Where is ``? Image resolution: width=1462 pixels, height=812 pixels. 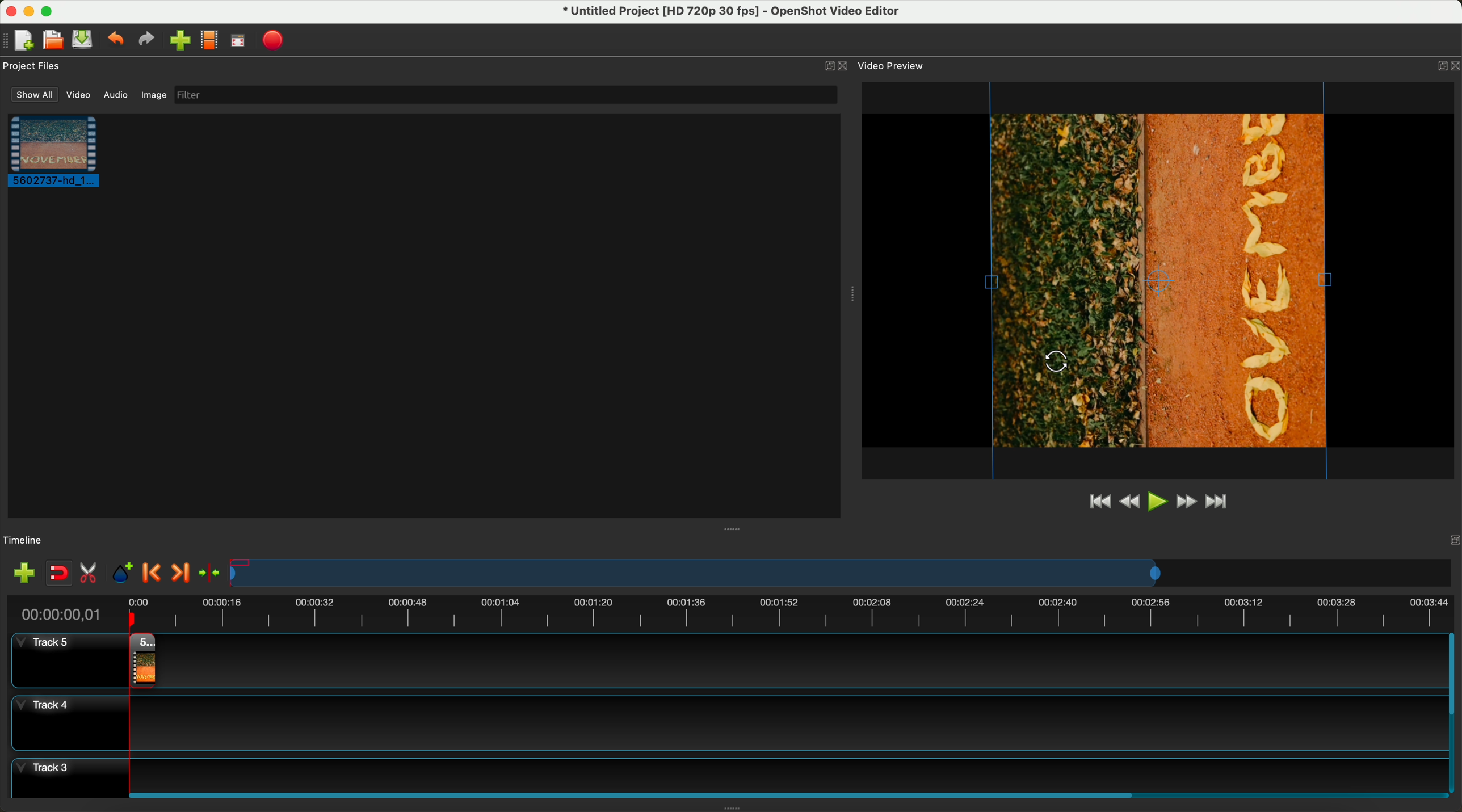
 is located at coordinates (1444, 64).